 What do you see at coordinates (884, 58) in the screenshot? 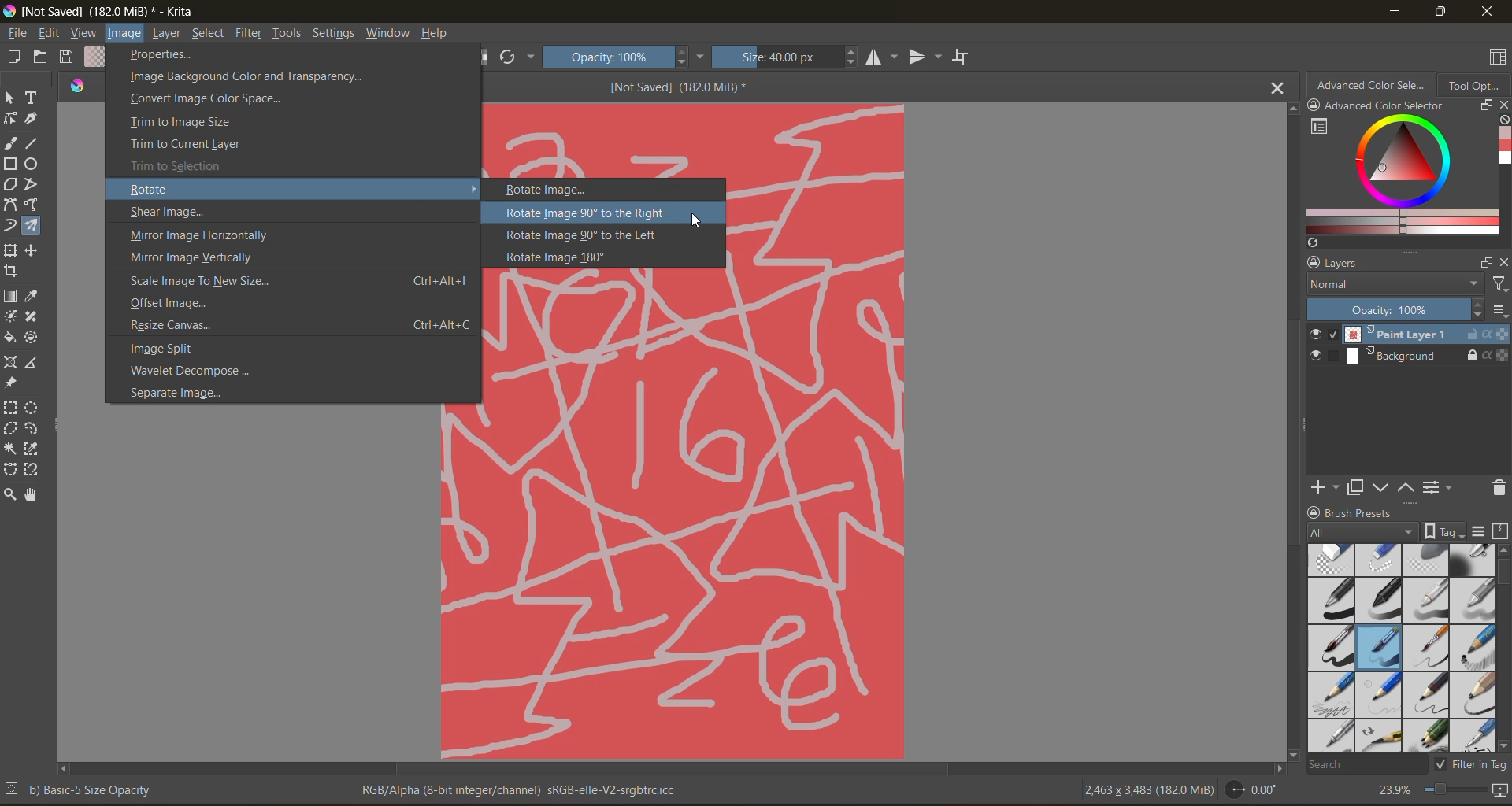
I see `flip horizontally` at bounding box center [884, 58].